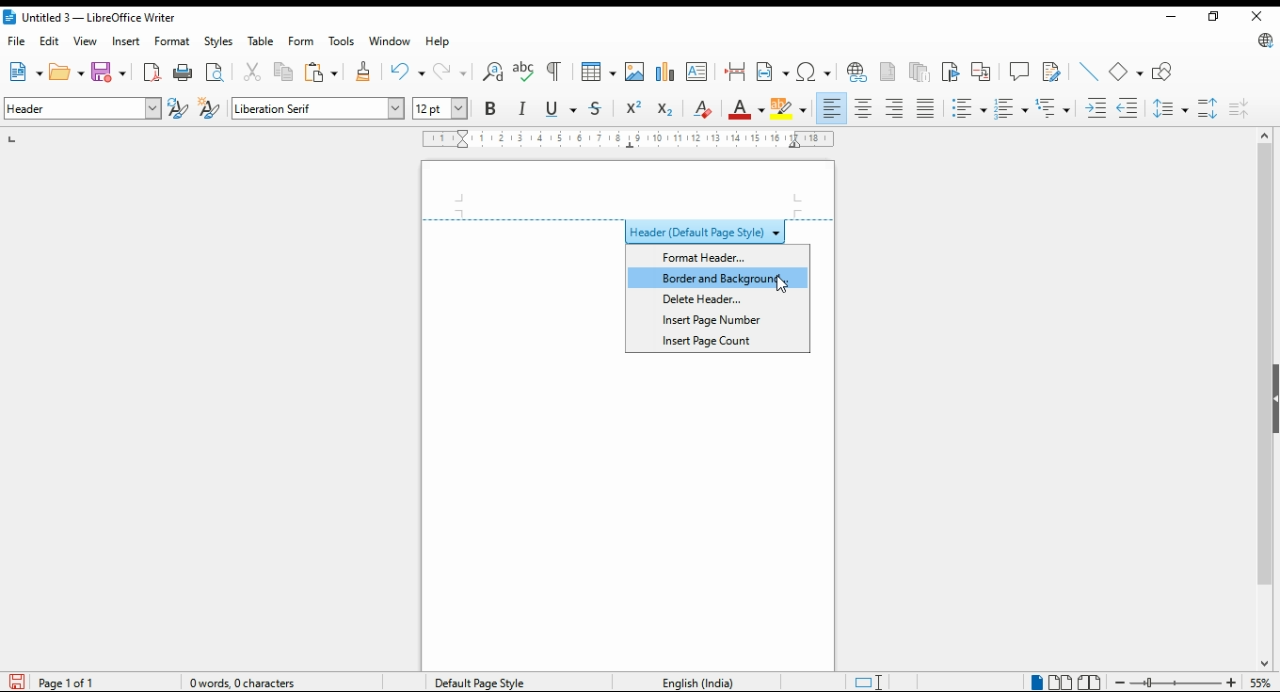  I want to click on align right, so click(895, 108).